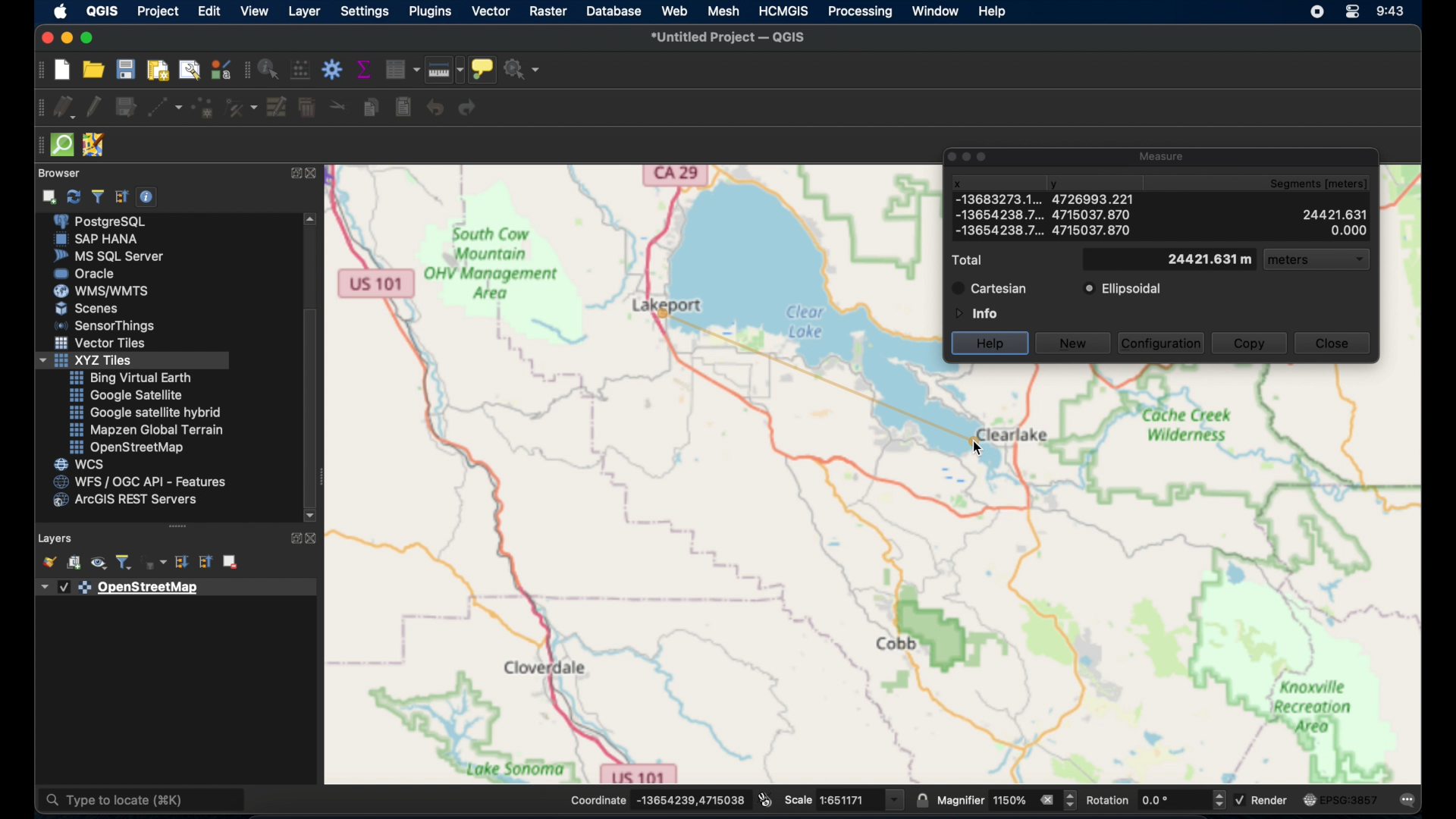 This screenshot has height=819, width=1456. Describe the element at coordinates (127, 448) in the screenshot. I see `openstreetmap` at that location.